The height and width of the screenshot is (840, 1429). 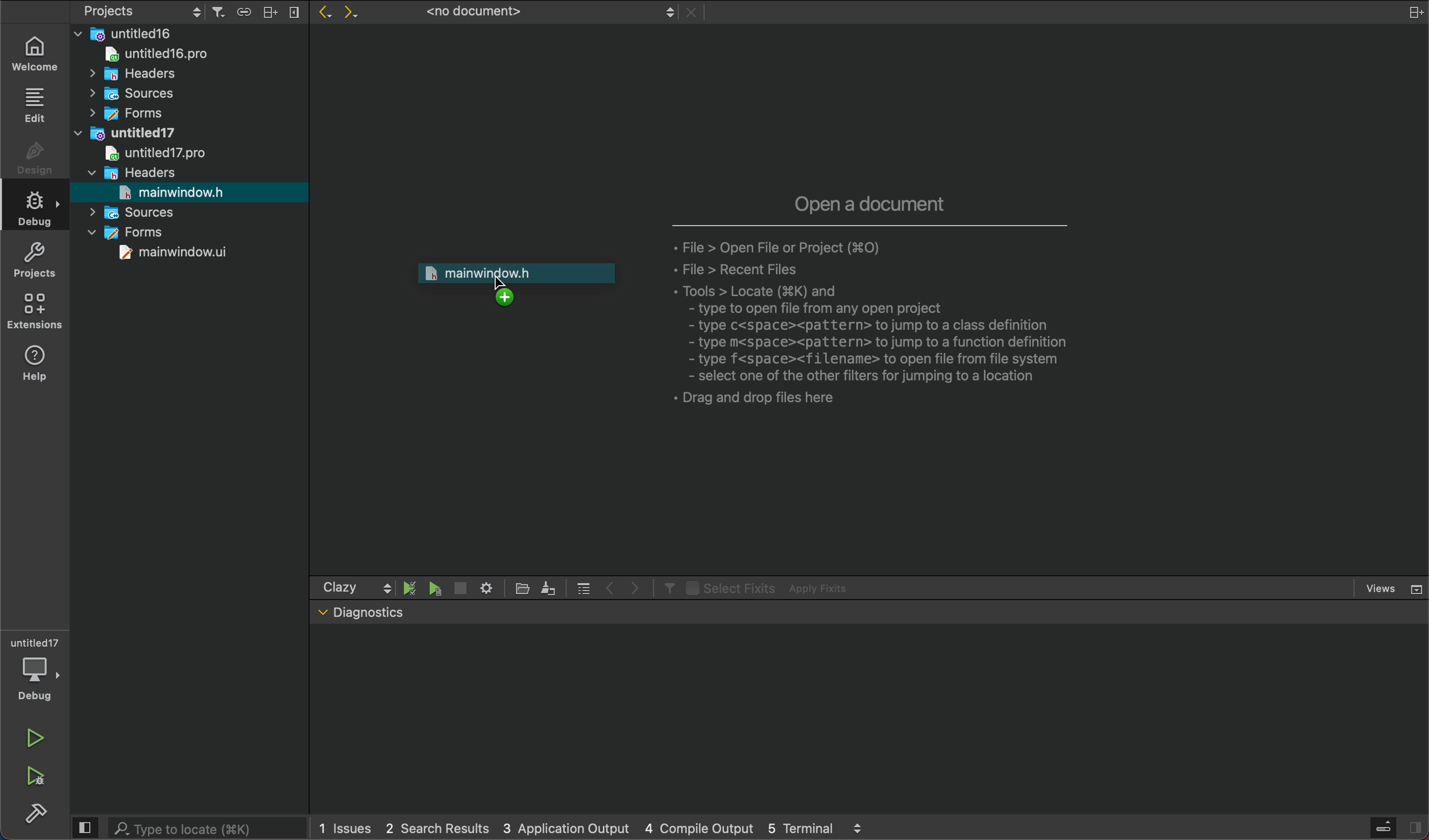 I want to click on DESIGN, so click(x=33, y=161).